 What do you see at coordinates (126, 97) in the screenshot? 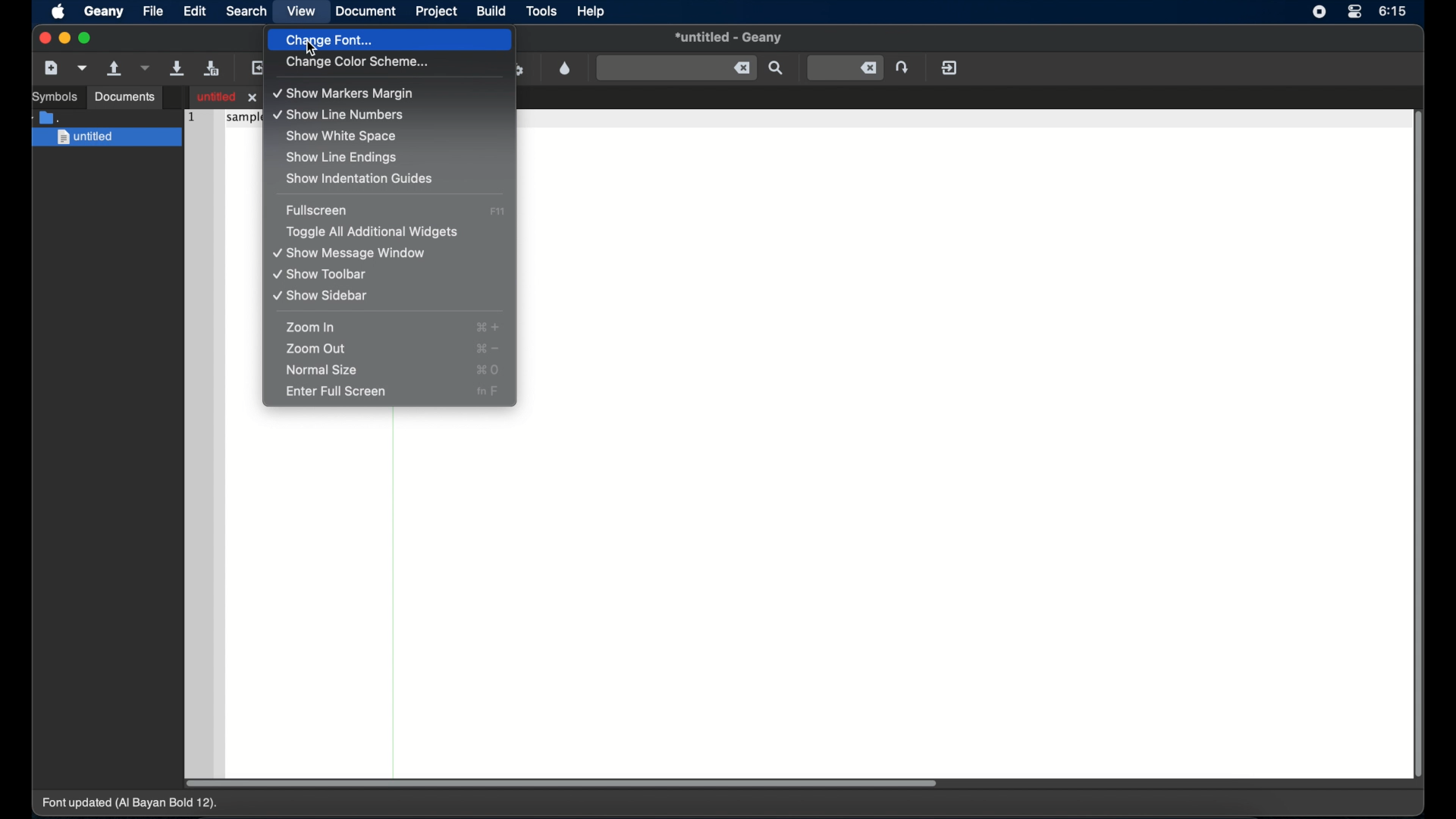
I see `documents` at bounding box center [126, 97].